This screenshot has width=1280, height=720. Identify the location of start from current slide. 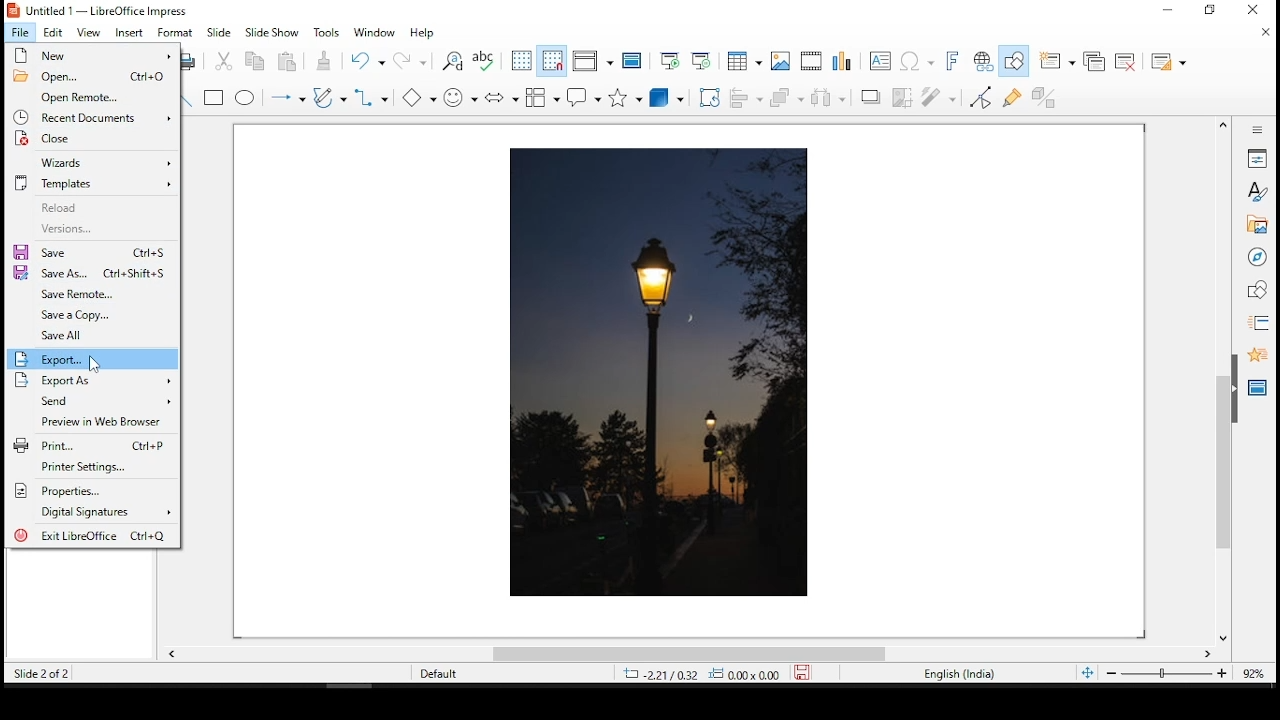
(703, 59).